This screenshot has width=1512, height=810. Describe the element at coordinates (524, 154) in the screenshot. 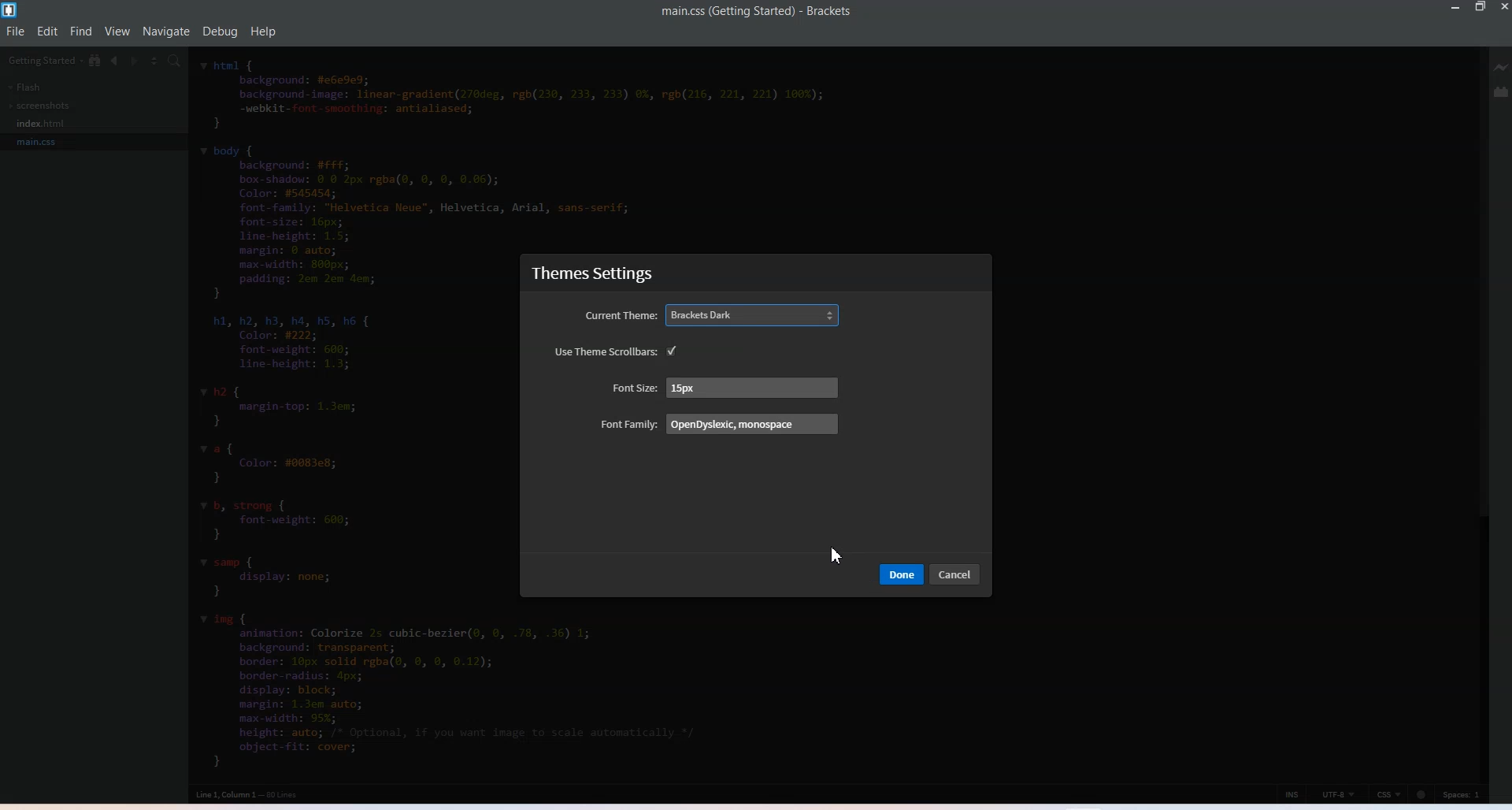

I see `code` at that location.